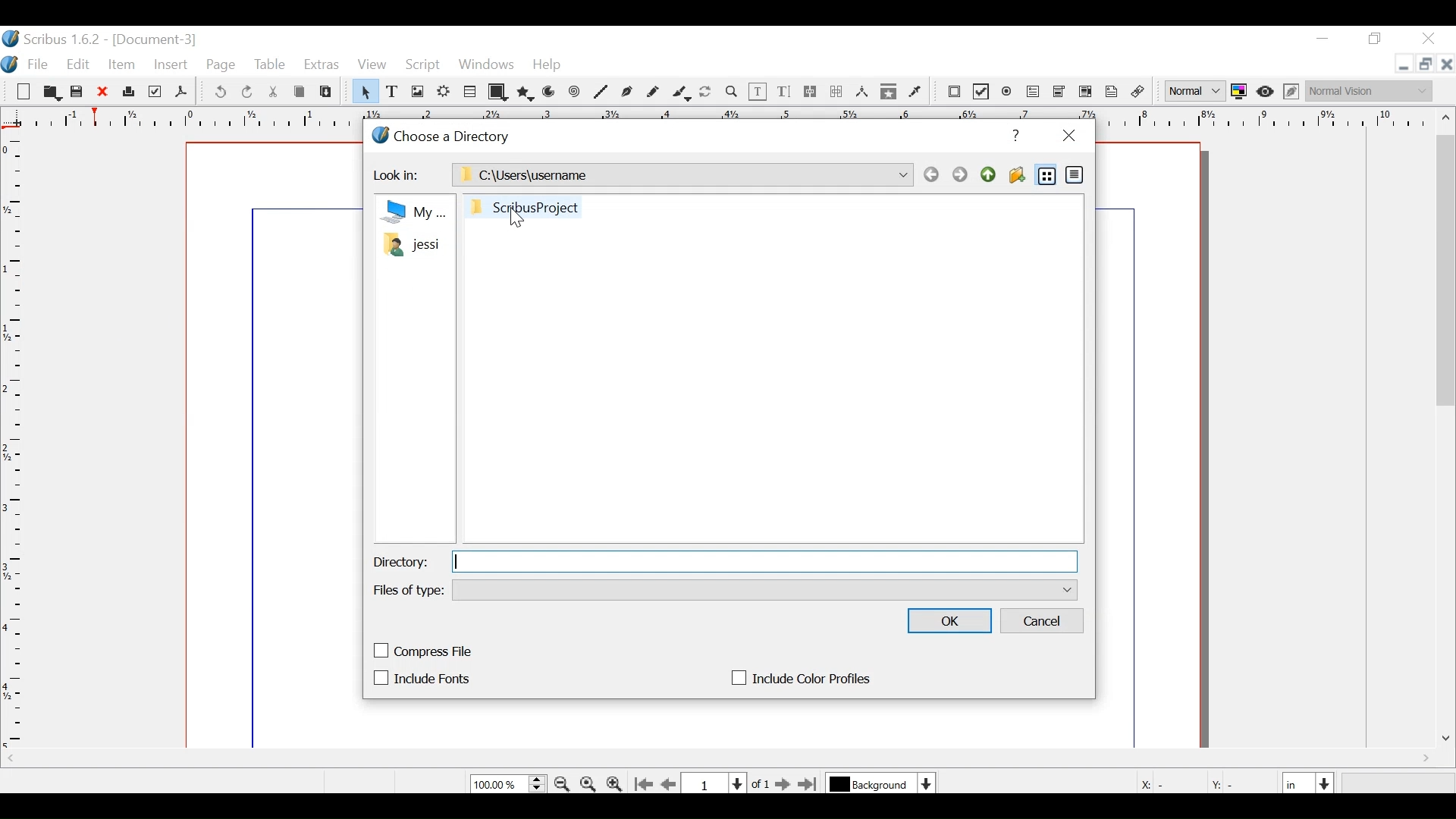  I want to click on Zoom to 100, so click(588, 783).